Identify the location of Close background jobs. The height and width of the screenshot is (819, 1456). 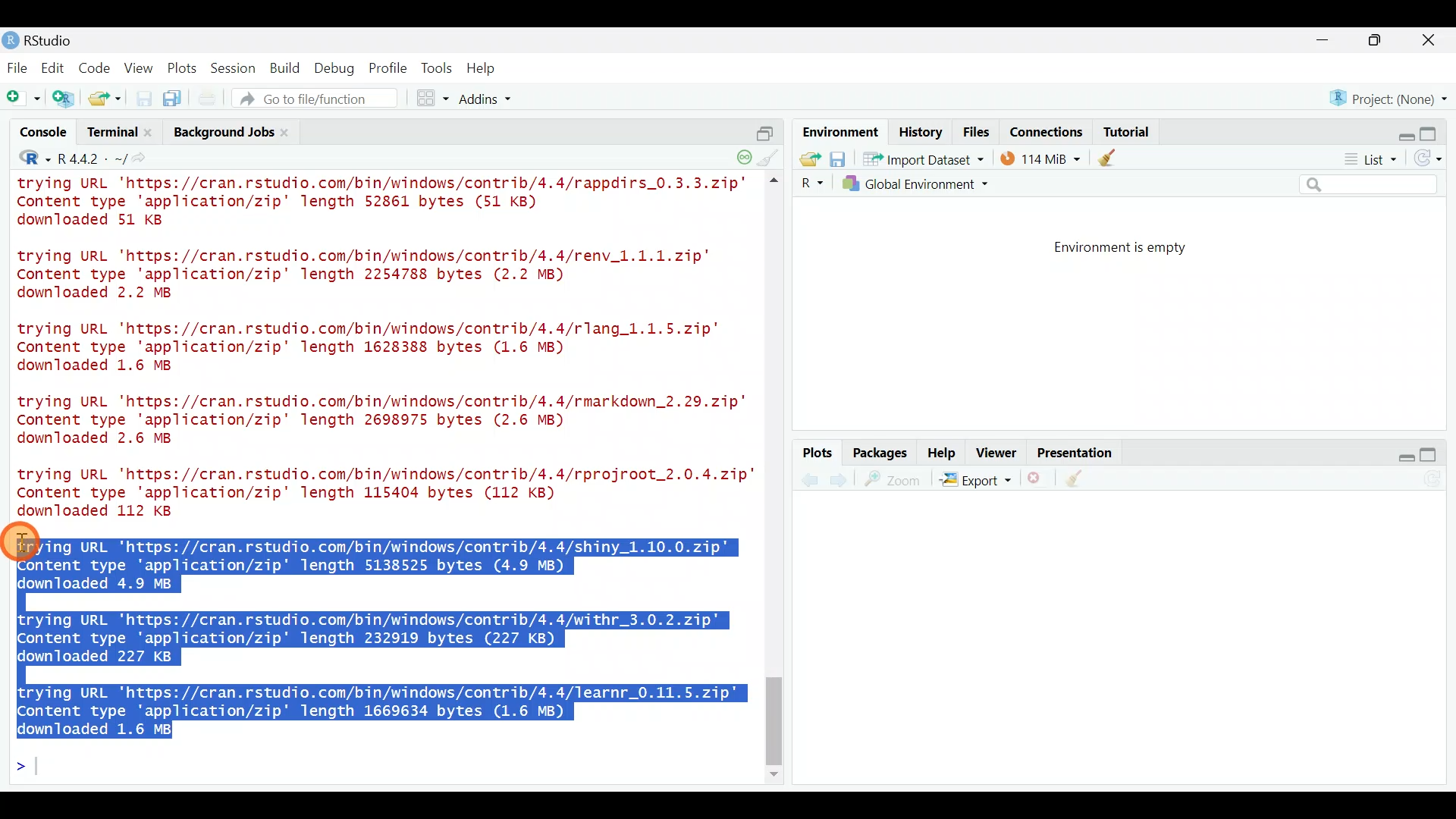
(293, 132).